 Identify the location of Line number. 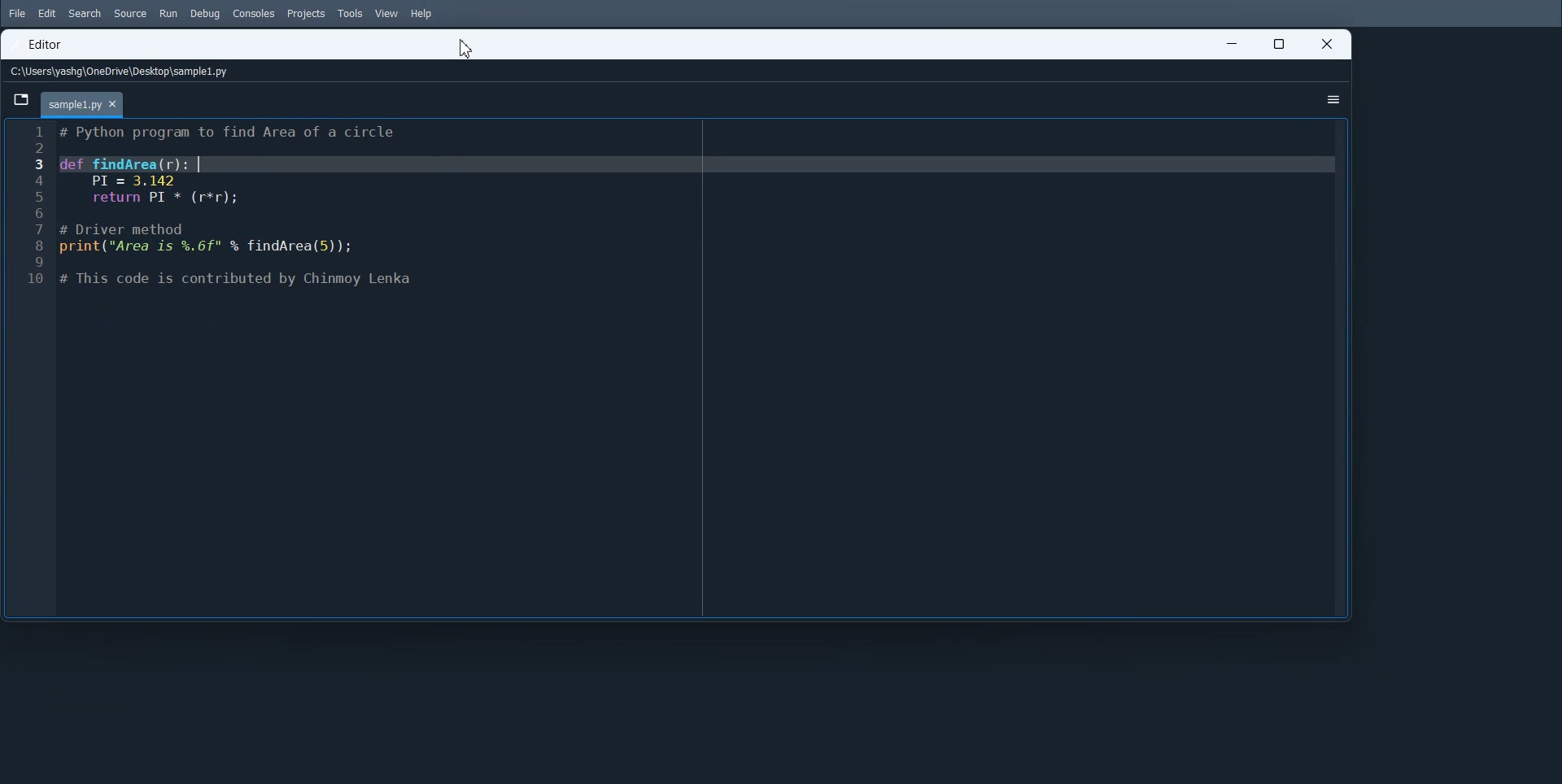
(28, 366).